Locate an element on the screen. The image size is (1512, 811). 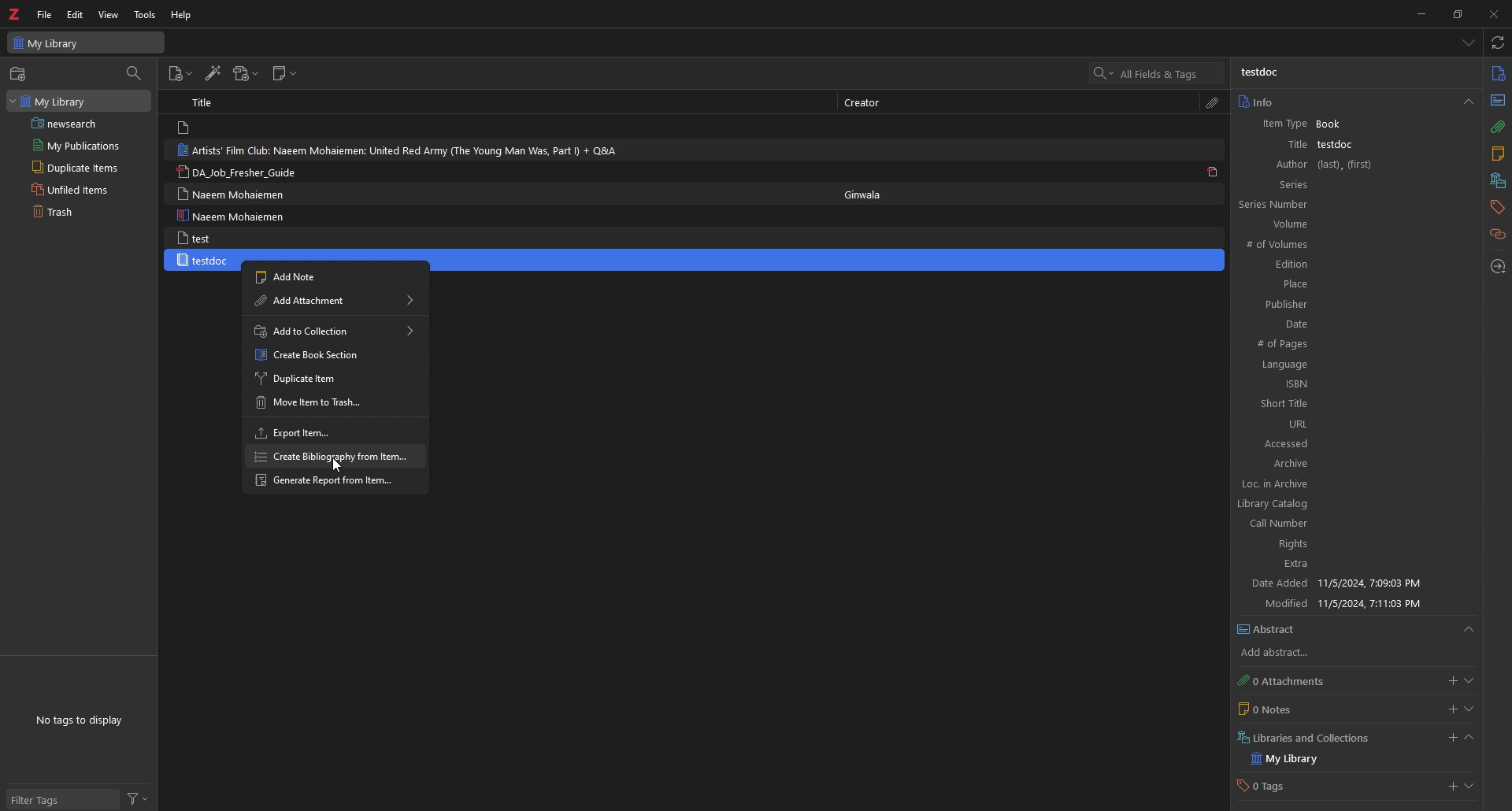
saved search is located at coordinates (81, 123).